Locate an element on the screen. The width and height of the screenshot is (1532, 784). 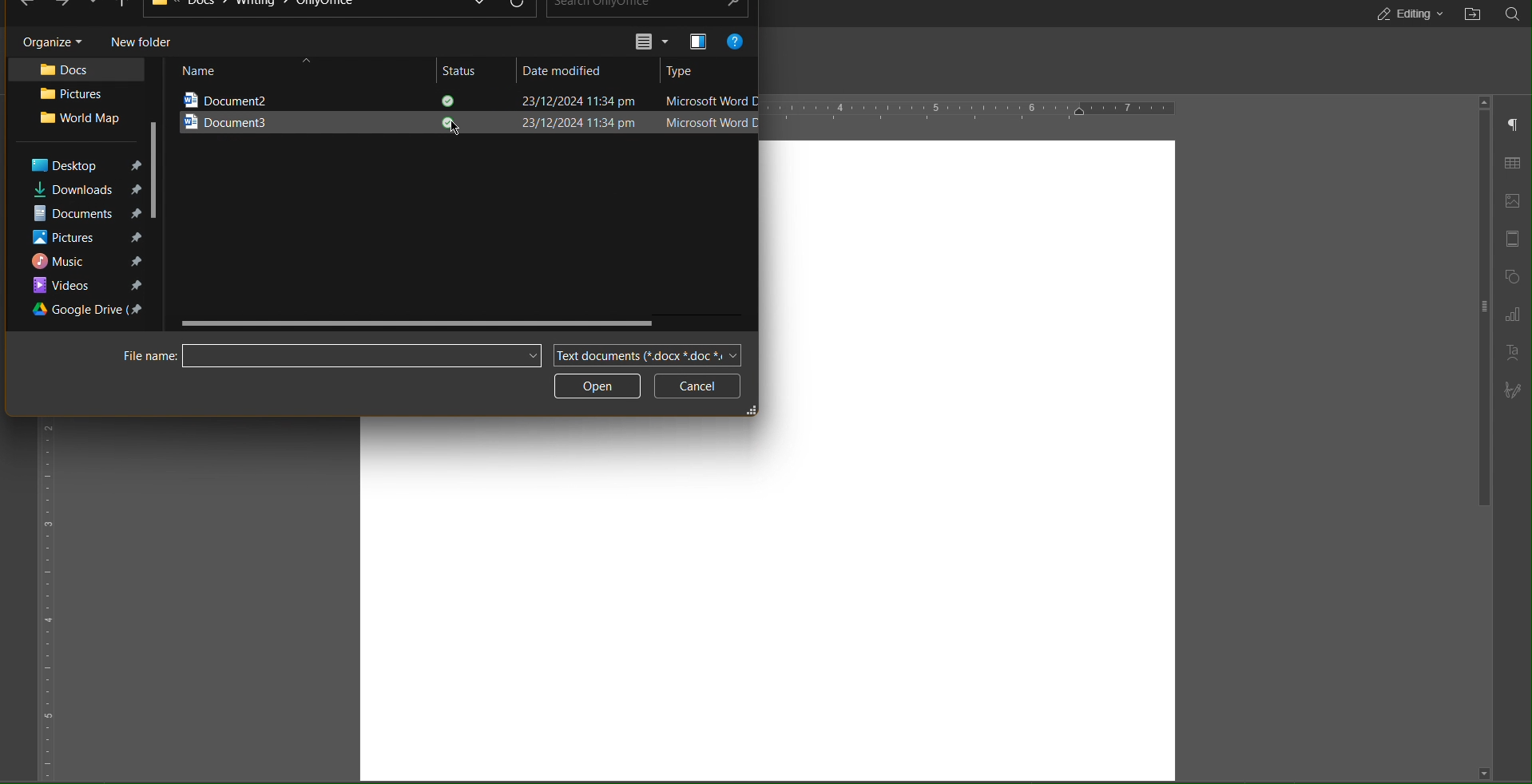
Files is located at coordinates (78, 69).